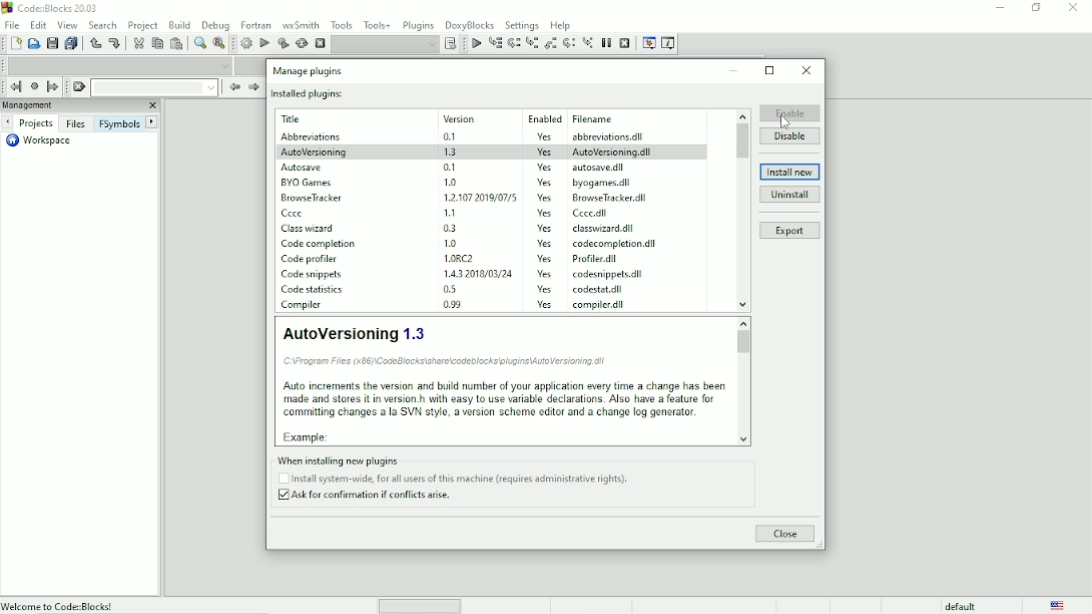 The width and height of the screenshot is (1092, 614). Describe the element at coordinates (454, 289) in the screenshot. I see `version ` at that location.